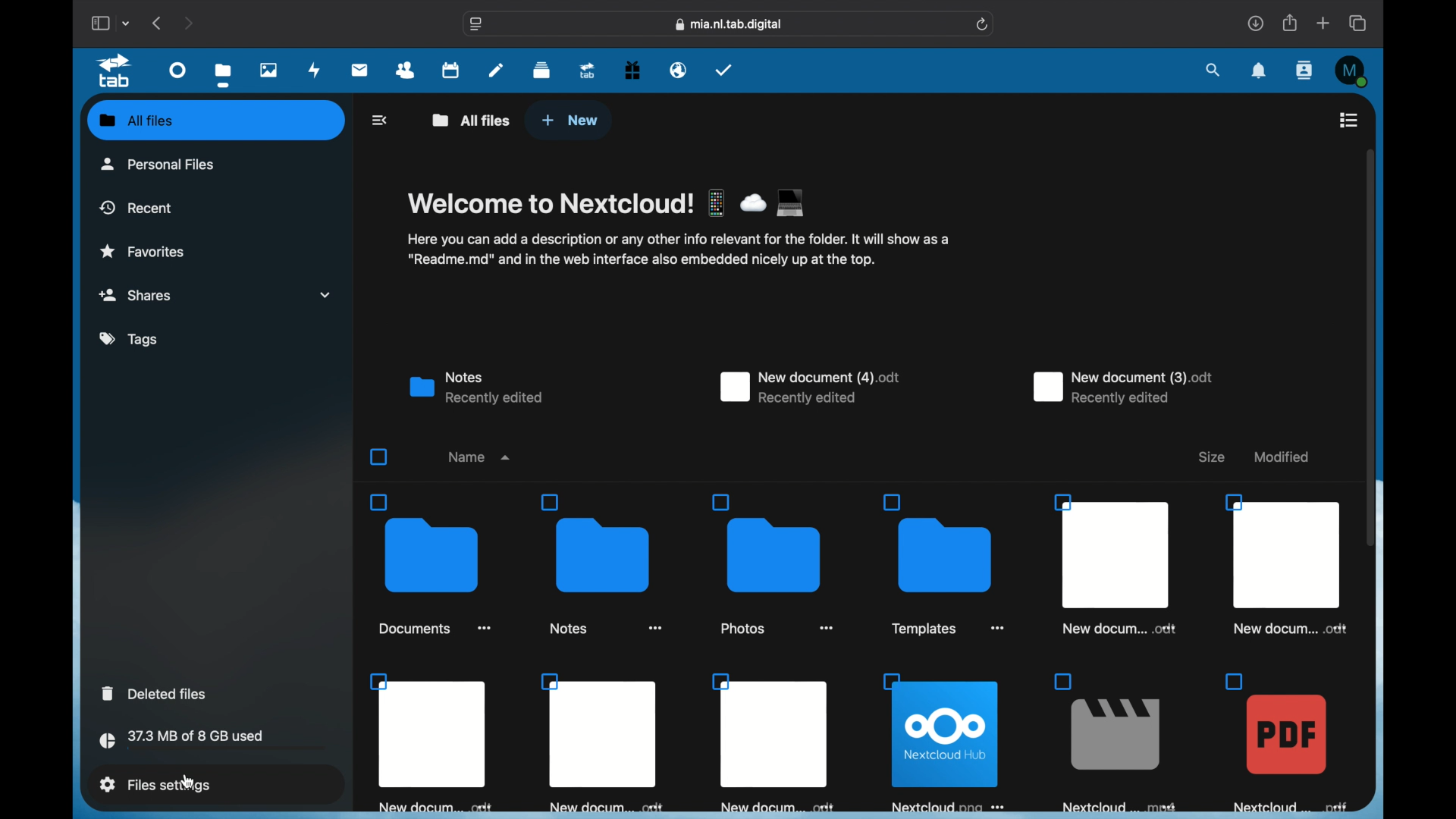 This screenshot has width=1456, height=819. Describe the element at coordinates (215, 293) in the screenshot. I see `shares` at that location.